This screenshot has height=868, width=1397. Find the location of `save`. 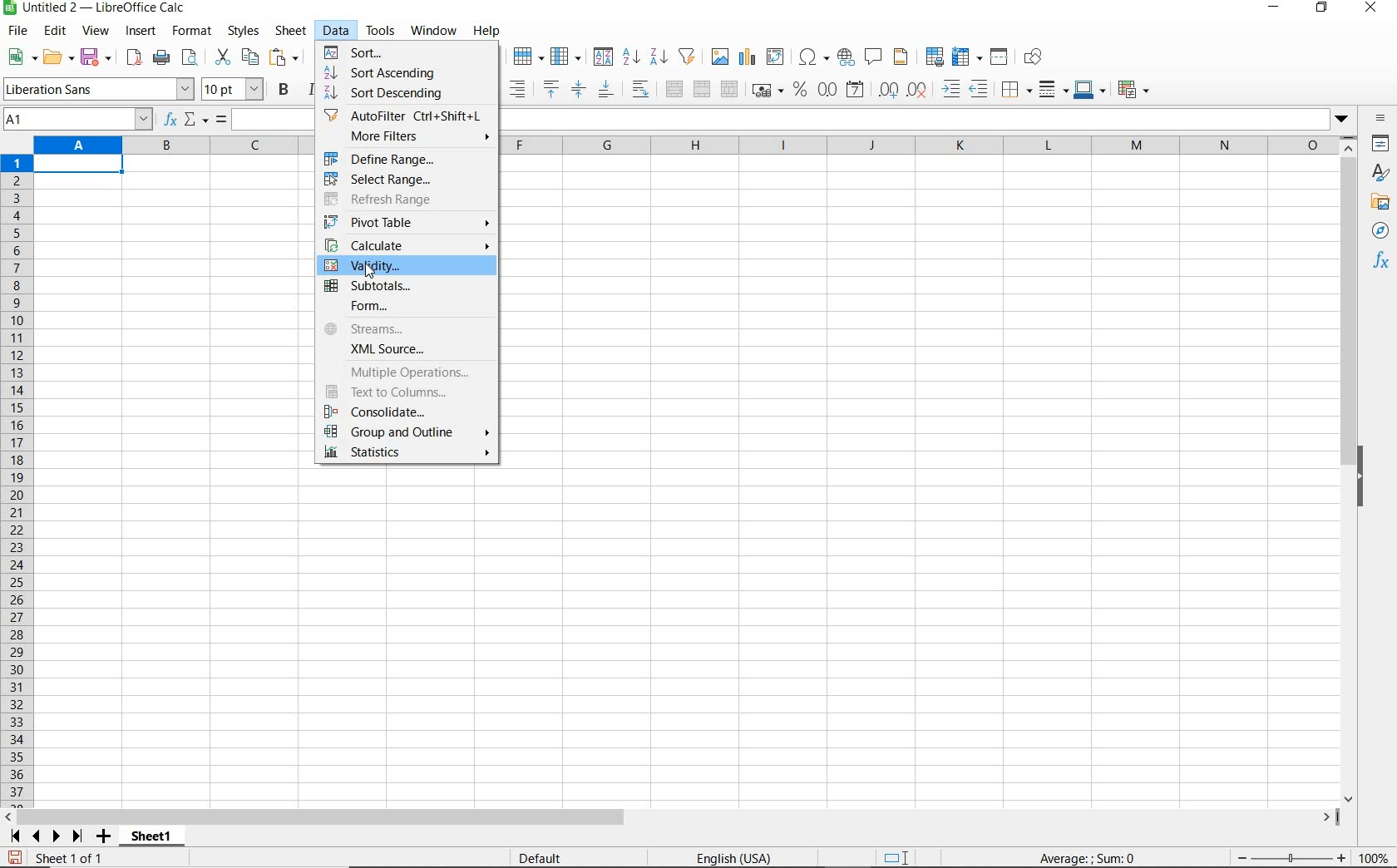

save is located at coordinates (15, 858).